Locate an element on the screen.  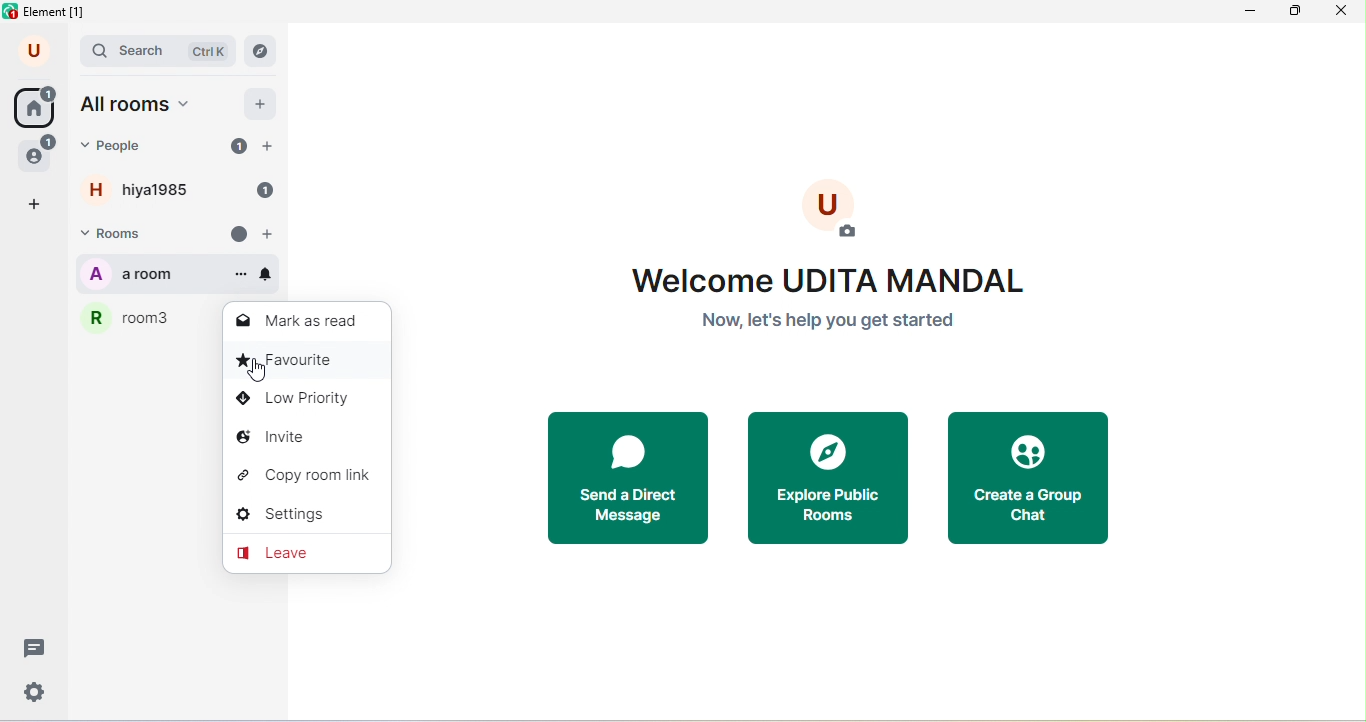
navigator is located at coordinates (260, 51).